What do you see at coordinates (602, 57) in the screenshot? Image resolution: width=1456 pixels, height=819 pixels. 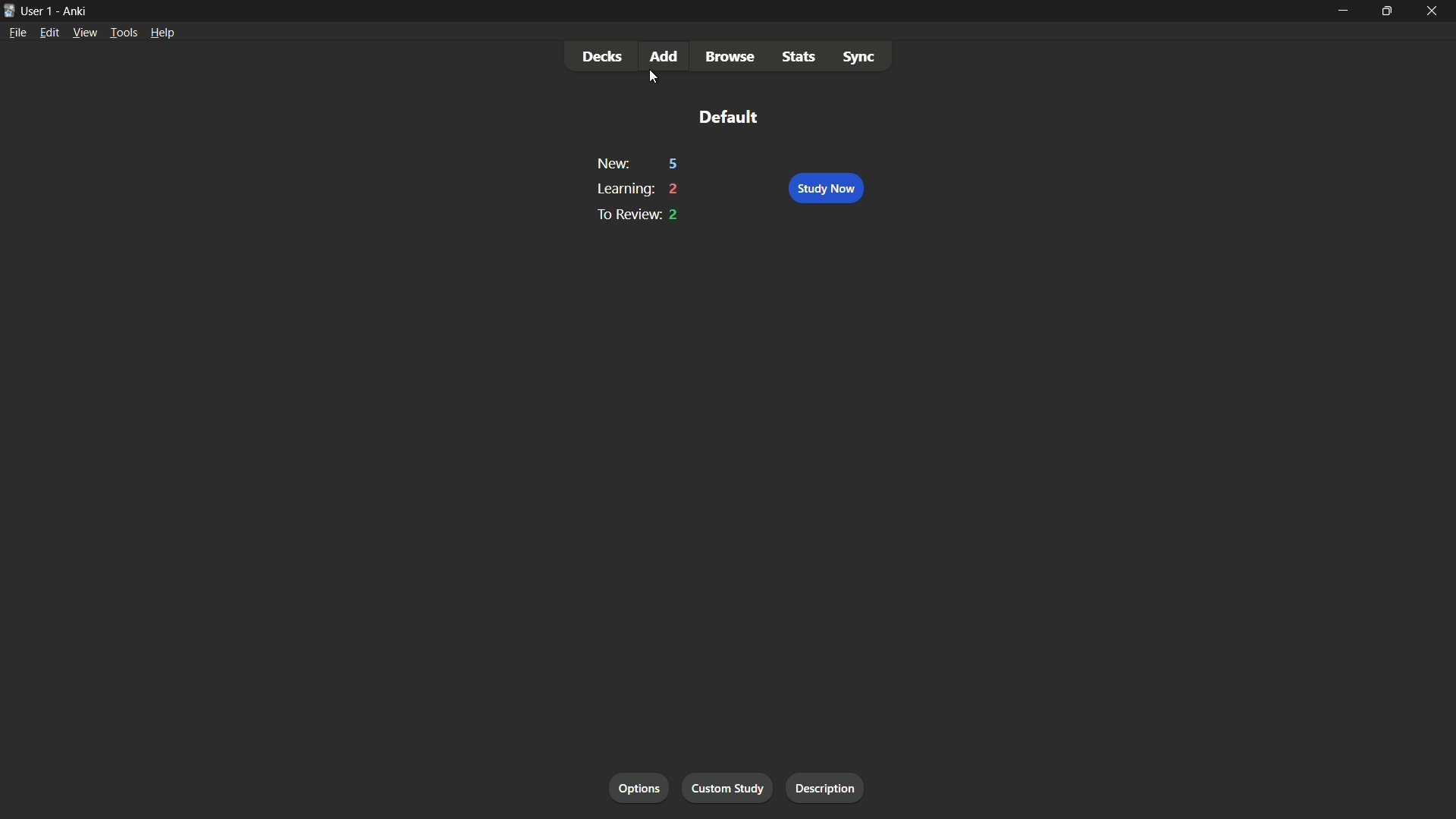 I see `decks` at bounding box center [602, 57].